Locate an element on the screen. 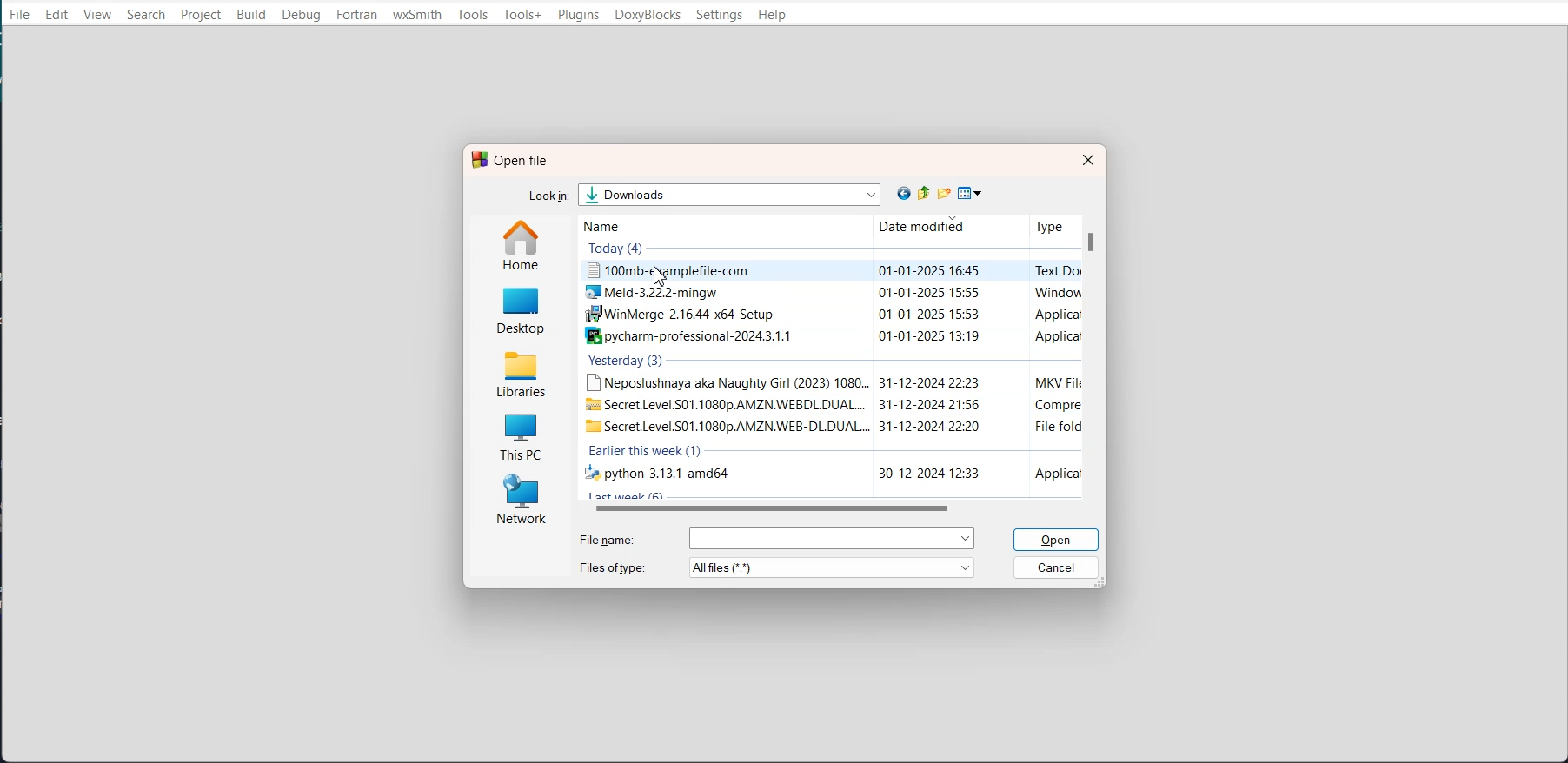 The image size is (1568, 763). python-3.13.1-amd64 is located at coordinates (827, 474).